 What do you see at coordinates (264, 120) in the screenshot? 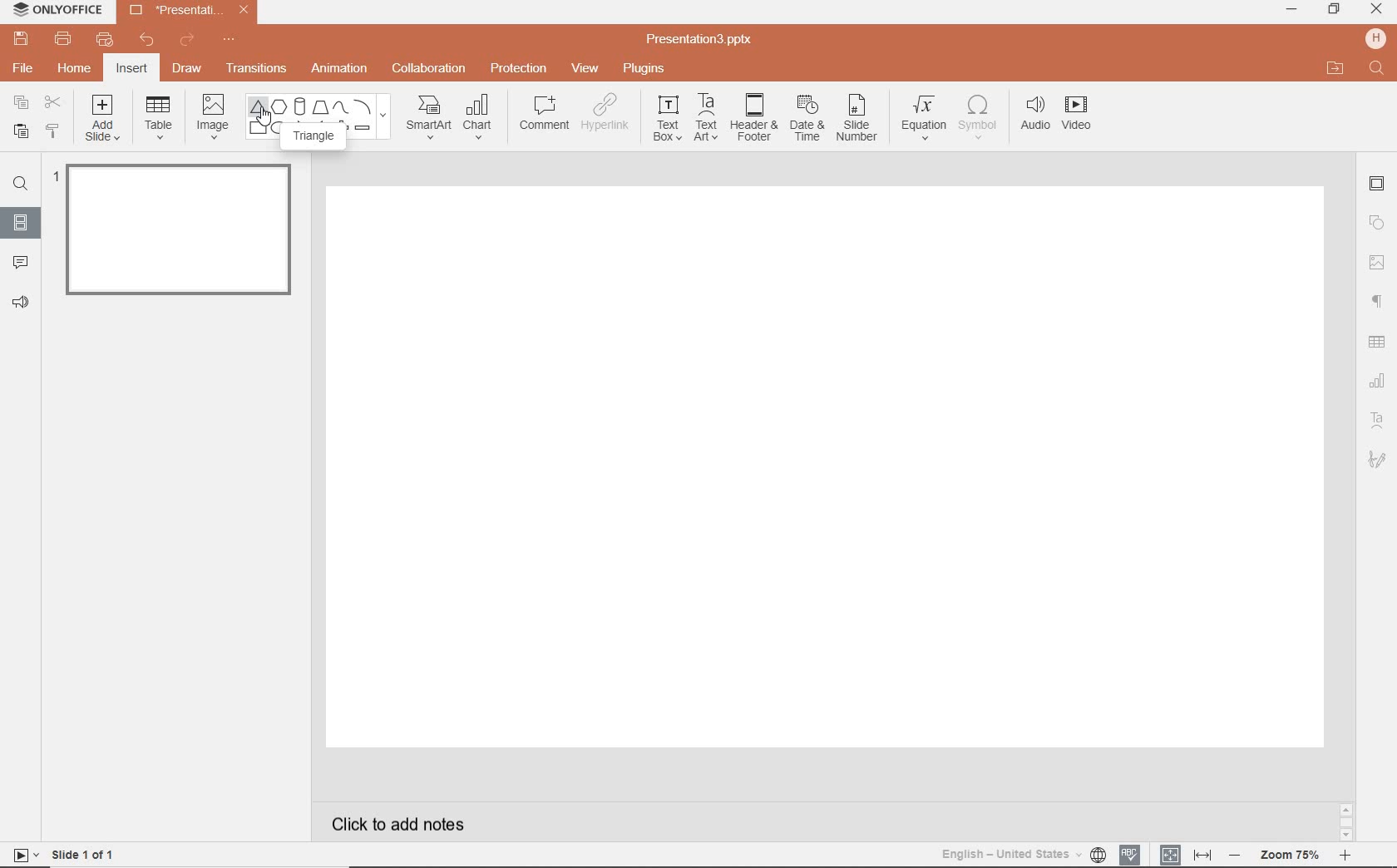
I see `mouse pointer` at bounding box center [264, 120].